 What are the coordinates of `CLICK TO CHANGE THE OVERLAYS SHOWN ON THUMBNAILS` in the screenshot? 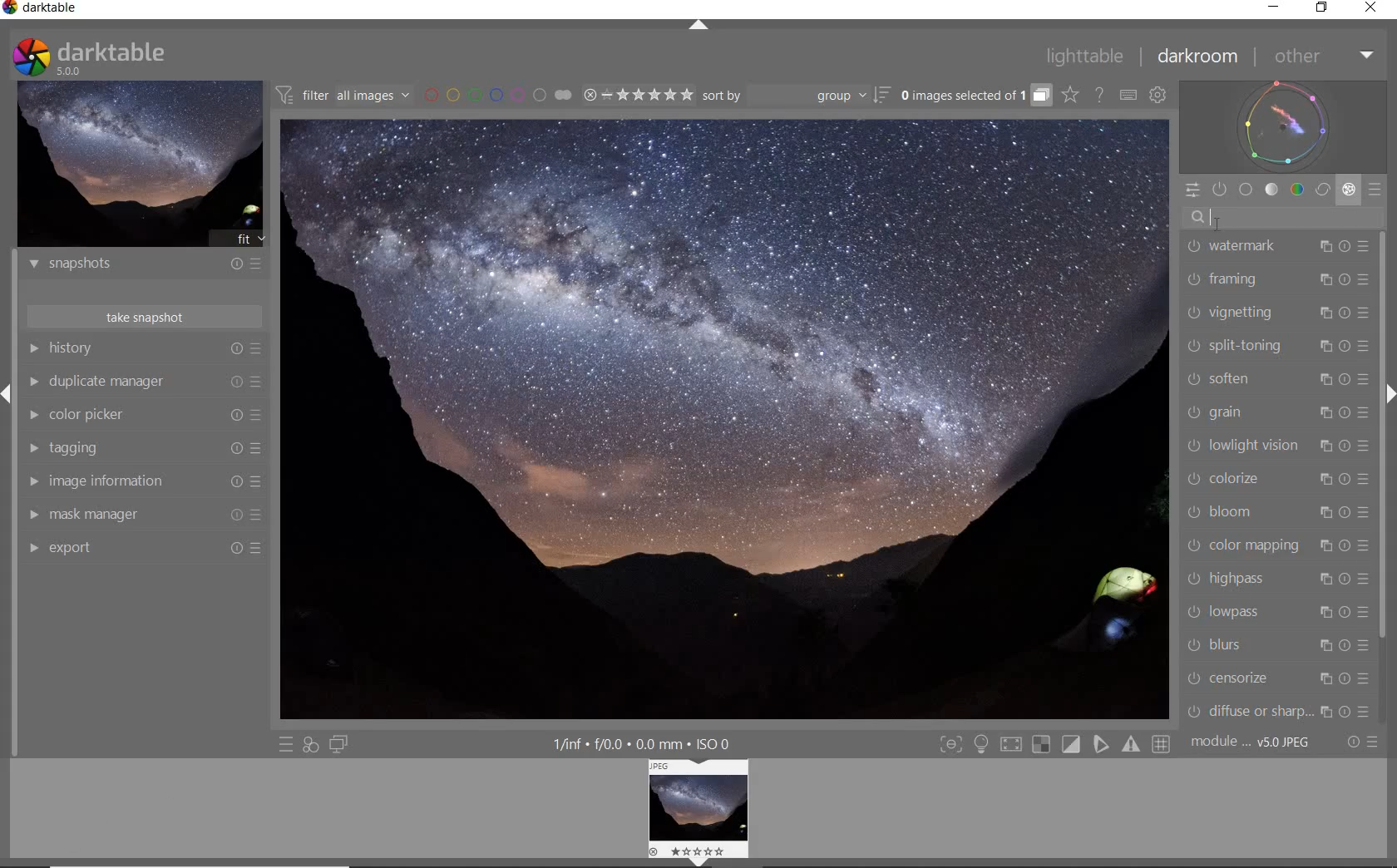 It's located at (1071, 96).